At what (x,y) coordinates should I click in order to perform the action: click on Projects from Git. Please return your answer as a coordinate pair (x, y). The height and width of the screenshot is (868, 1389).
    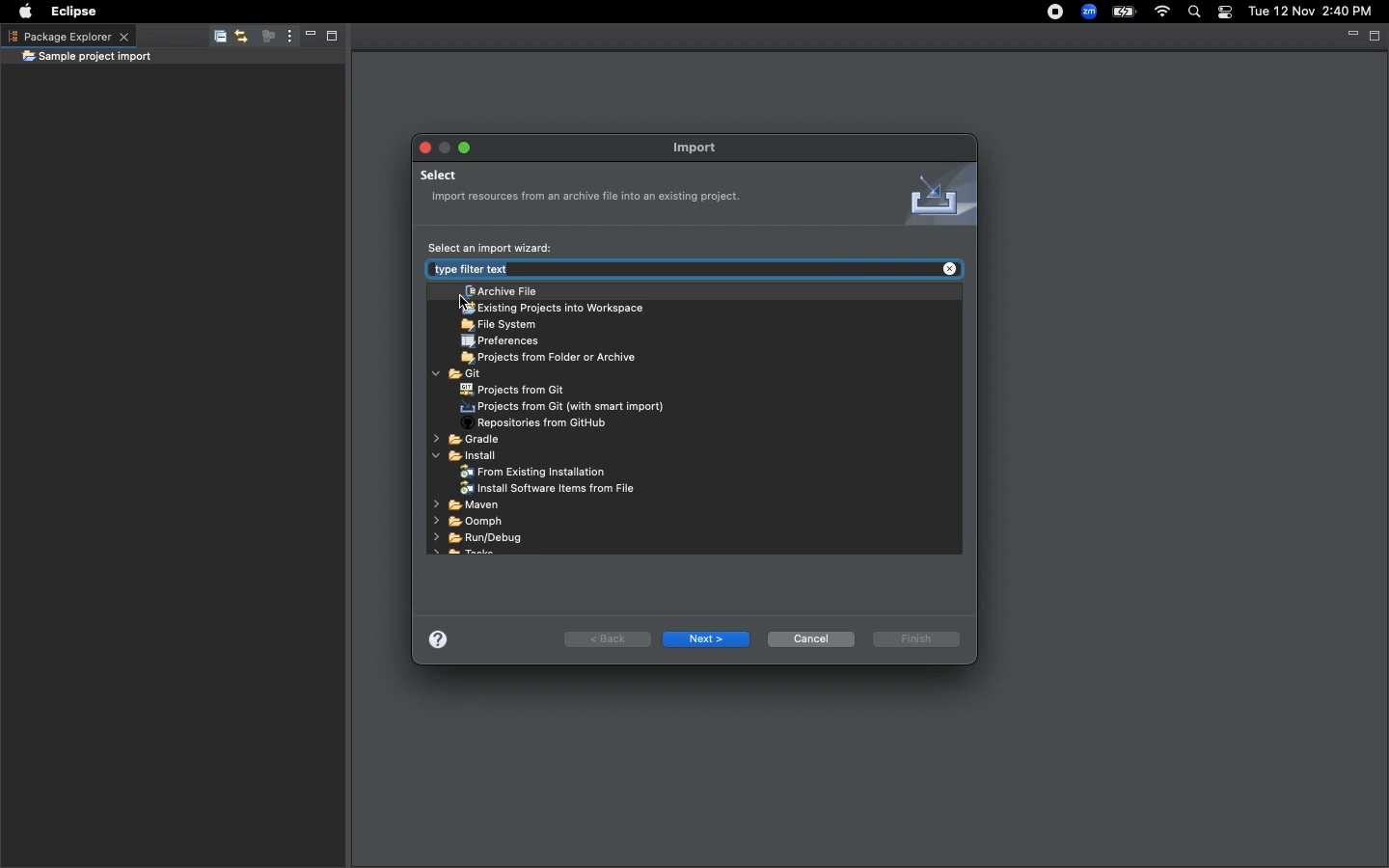
    Looking at the image, I should click on (566, 407).